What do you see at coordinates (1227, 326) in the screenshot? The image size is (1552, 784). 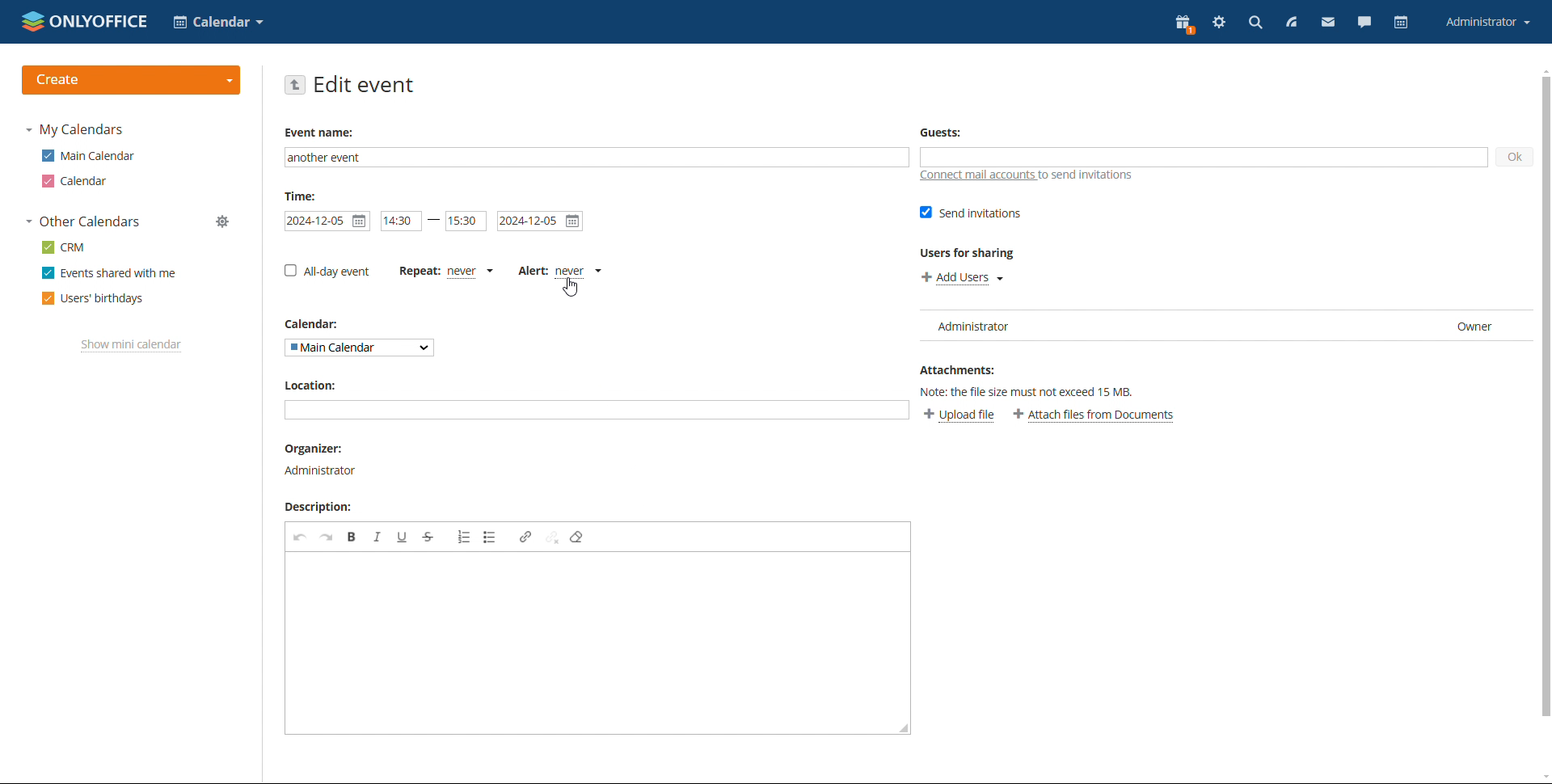 I see `user list` at bounding box center [1227, 326].